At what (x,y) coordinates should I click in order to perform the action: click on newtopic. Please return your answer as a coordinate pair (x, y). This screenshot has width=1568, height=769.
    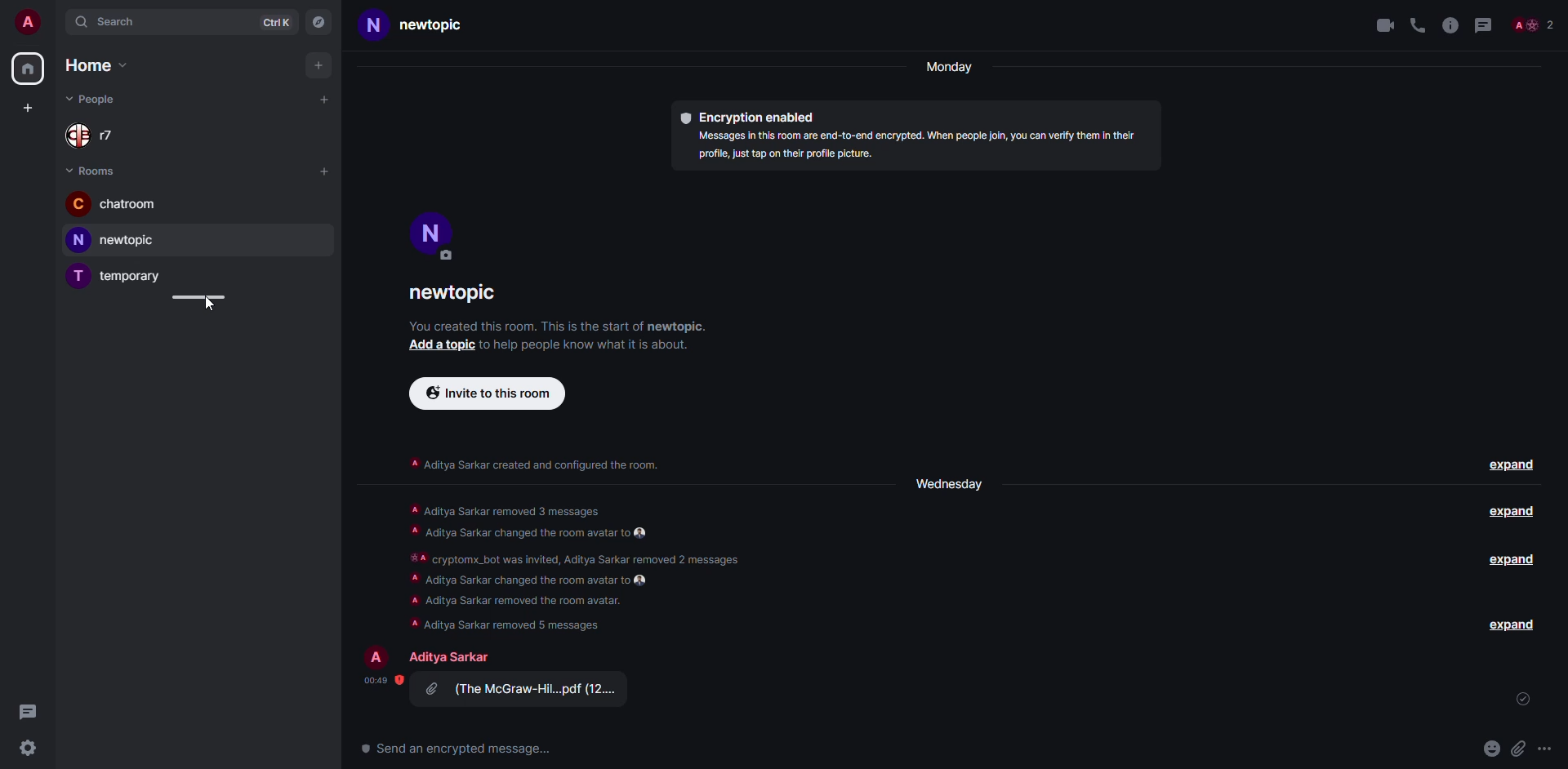
    Looking at the image, I should click on (454, 295).